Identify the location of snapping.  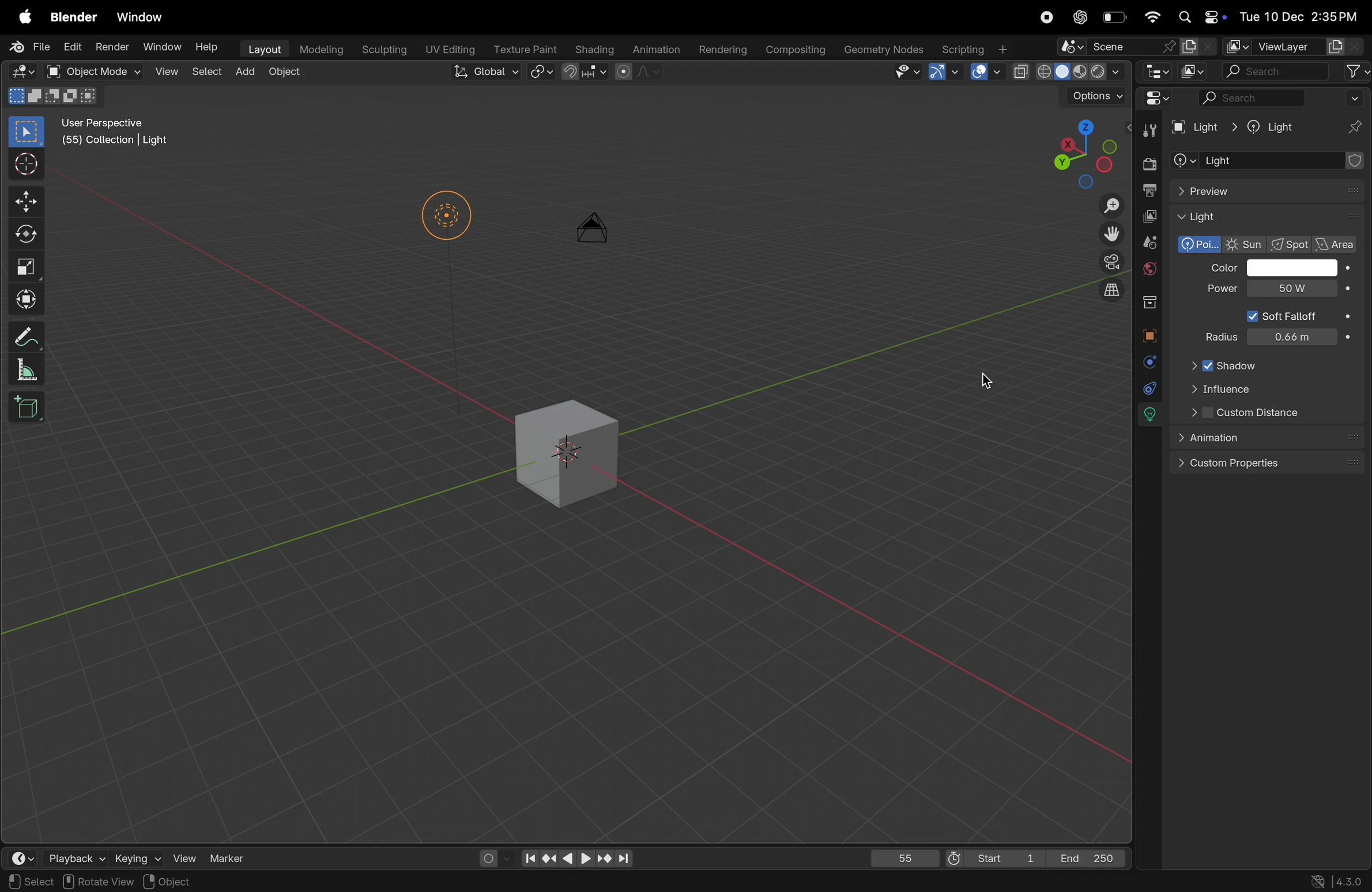
(585, 72).